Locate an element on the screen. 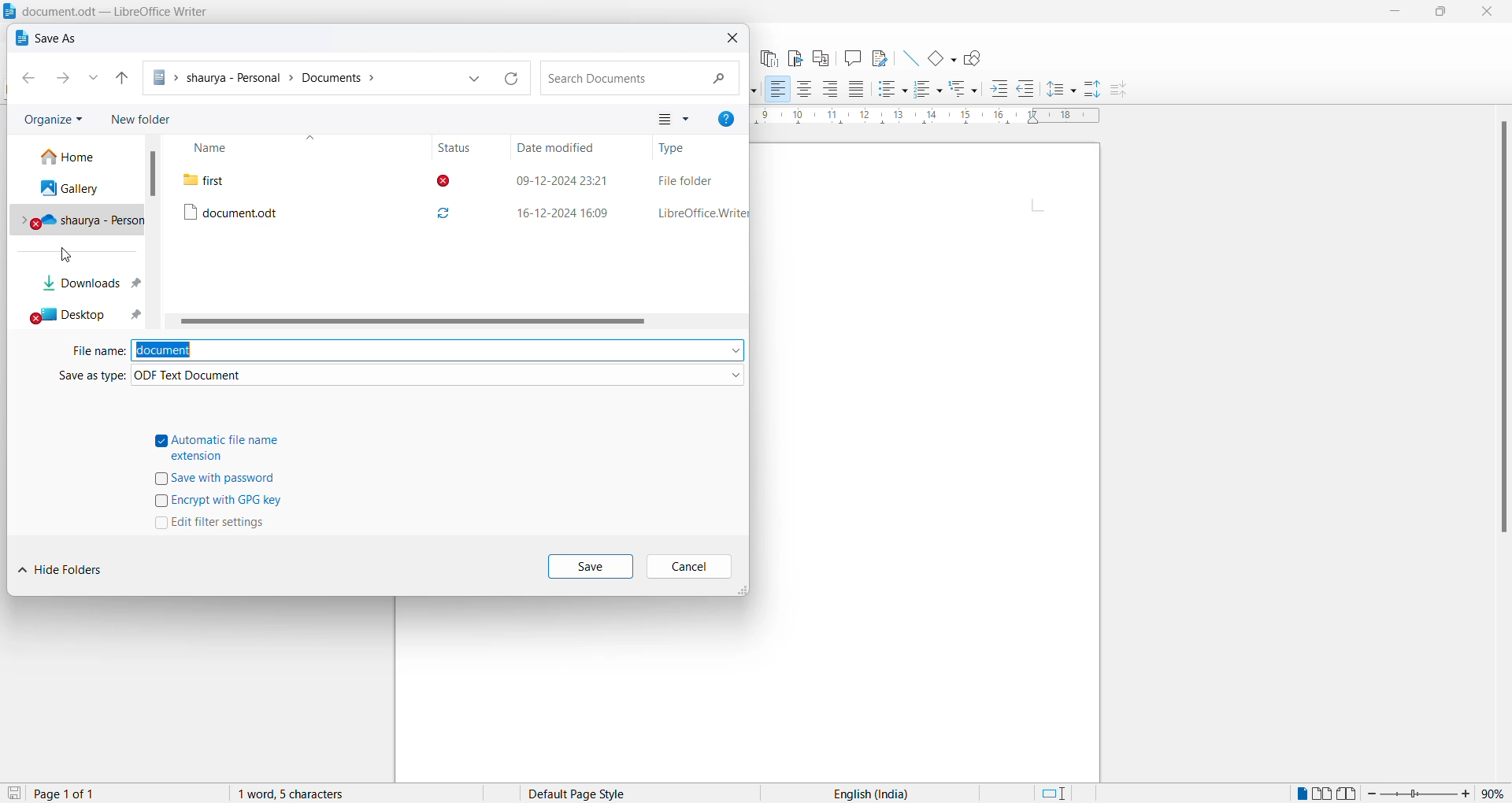 This screenshot has height=803, width=1512. Increase paragraph space is located at coordinates (1093, 88).